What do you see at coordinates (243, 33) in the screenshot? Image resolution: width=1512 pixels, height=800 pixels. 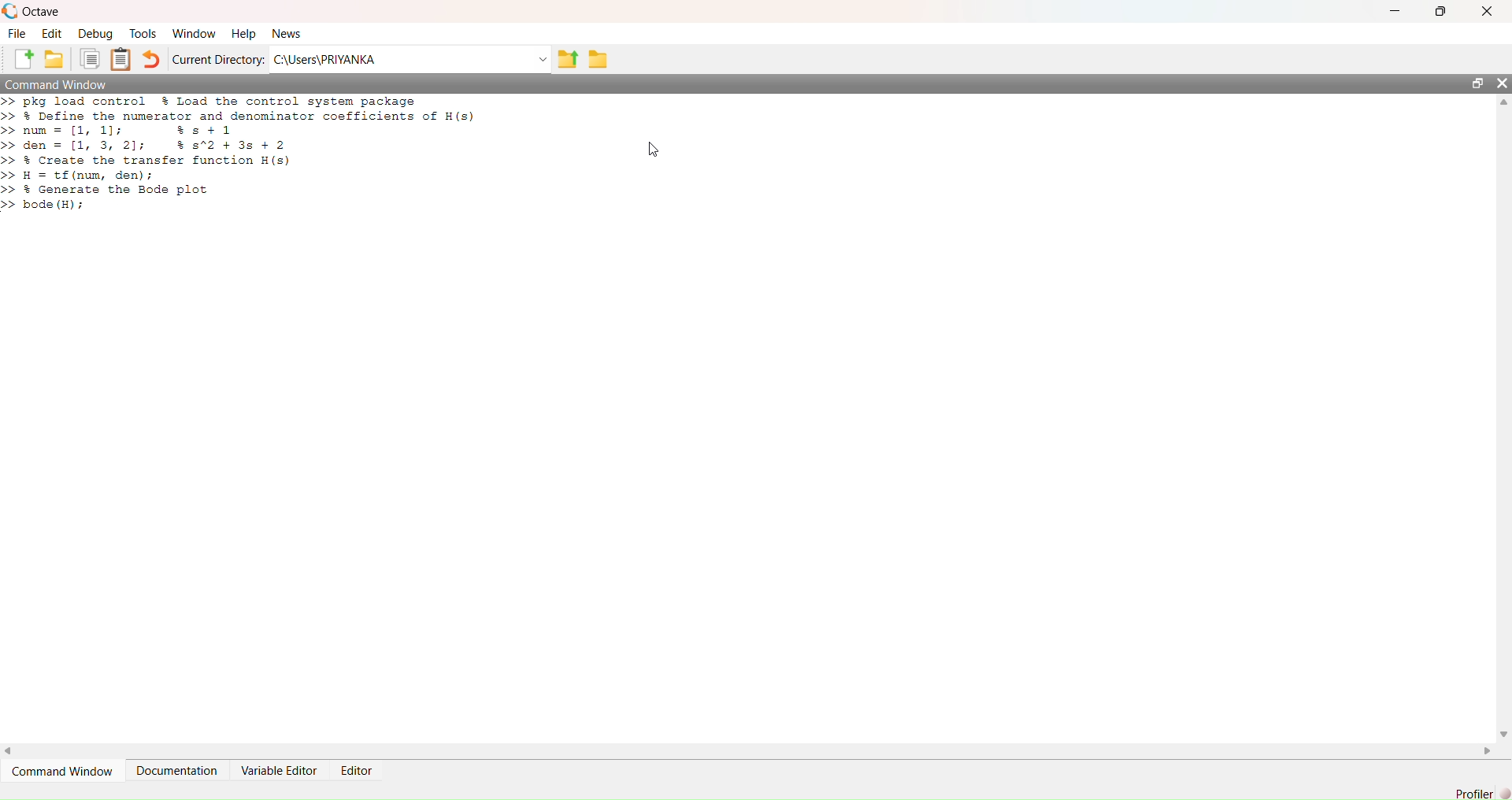 I see `Help` at bounding box center [243, 33].